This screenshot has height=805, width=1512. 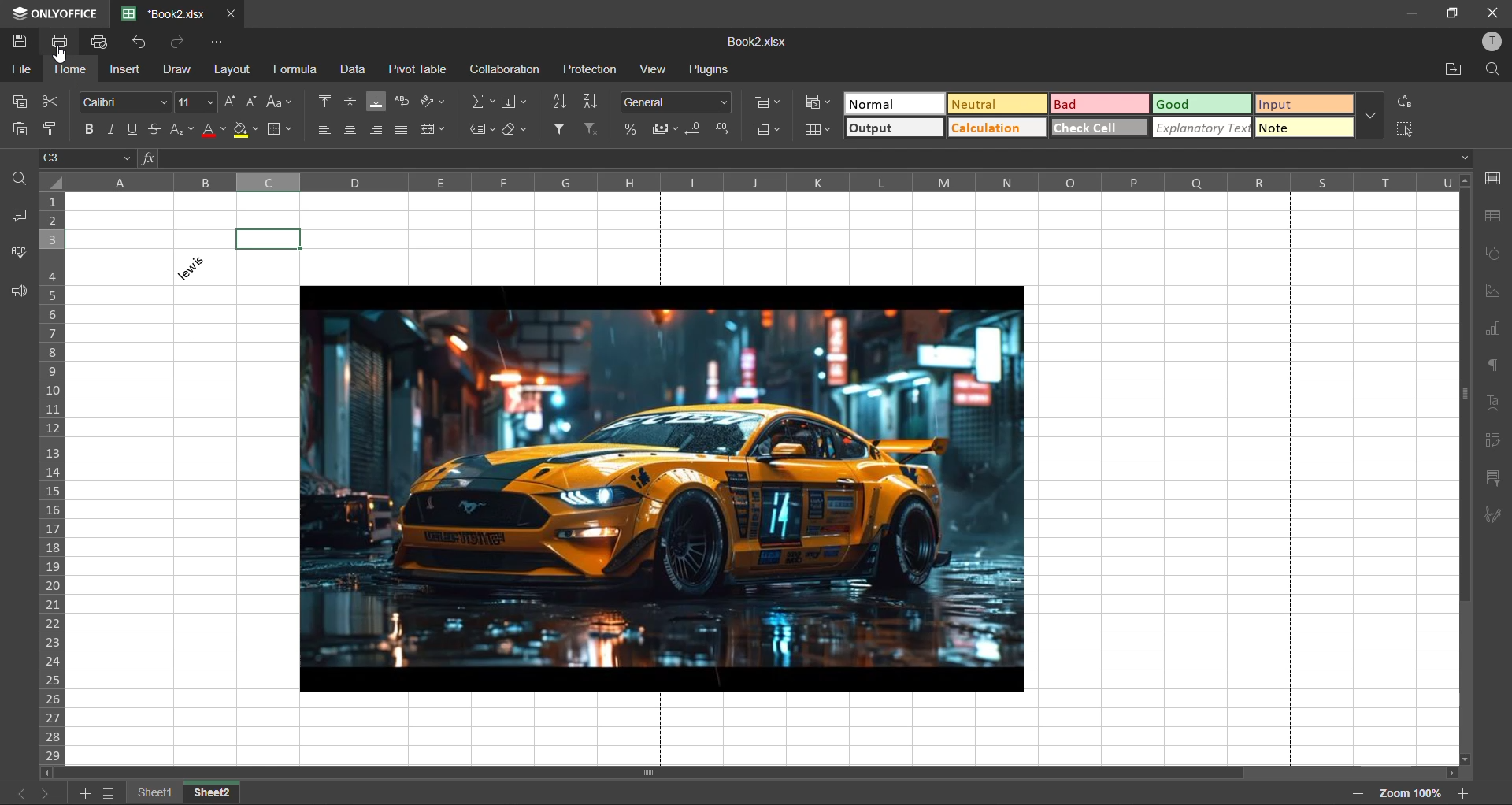 I want to click on clear, so click(x=516, y=129).